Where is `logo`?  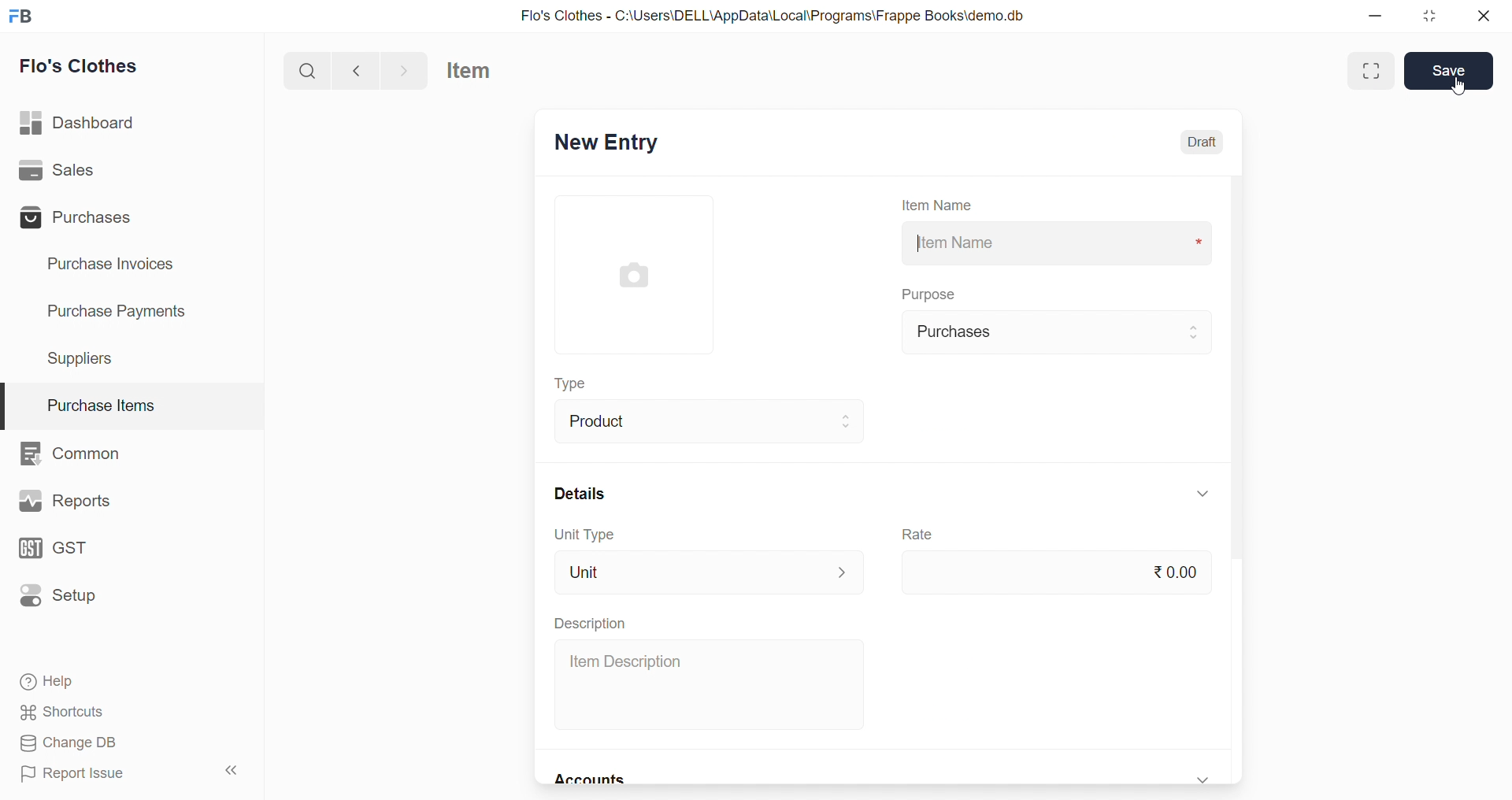
logo is located at coordinates (20, 17).